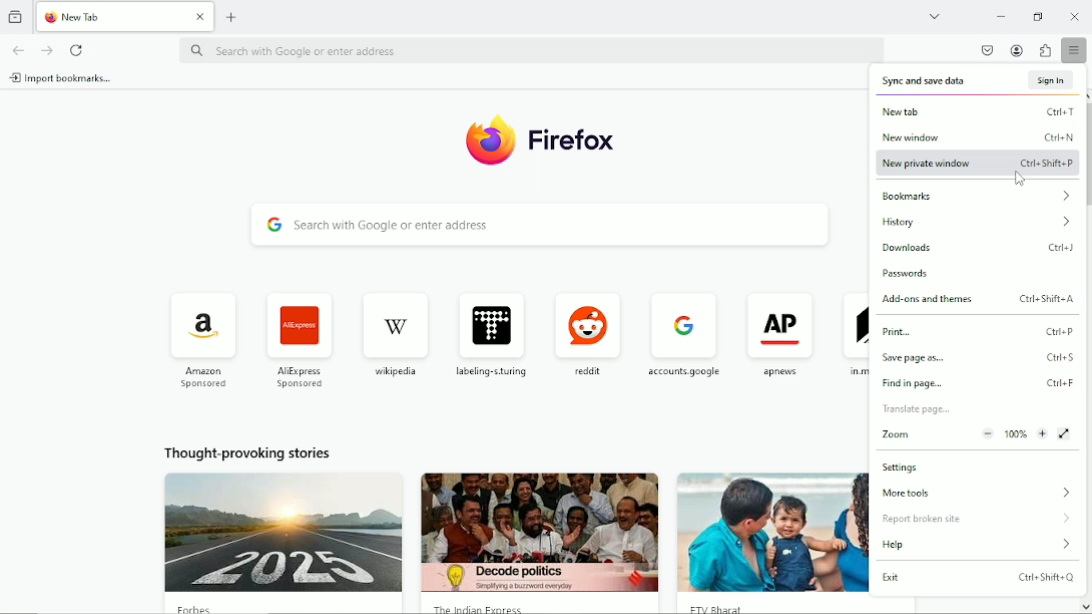 The height and width of the screenshot is (614, 1092). What do you see at coordinates (975, 197) in the screenshot?
I see `bookmarks` at bounding box center [975, 197].